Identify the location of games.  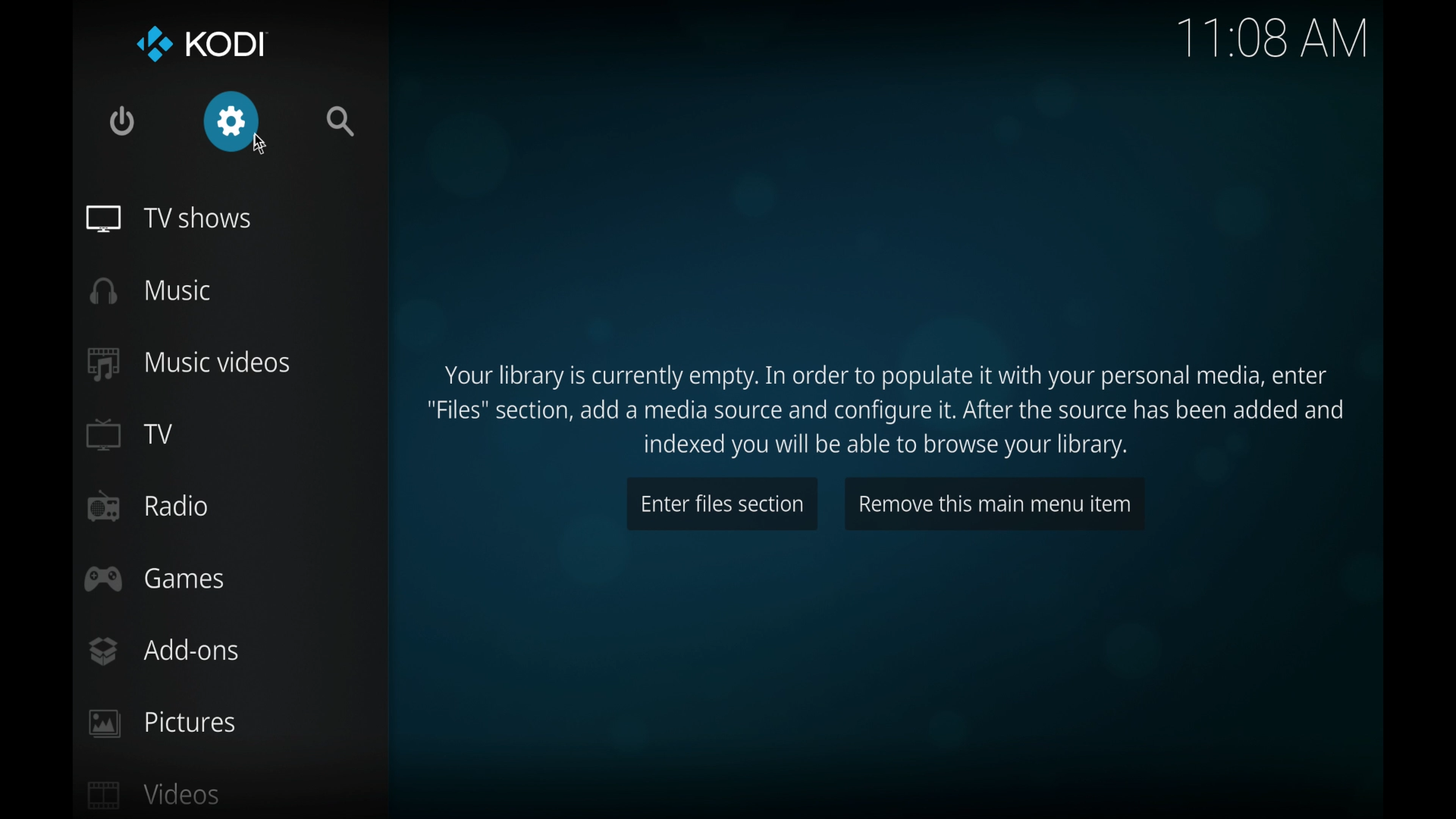
(156, 578).